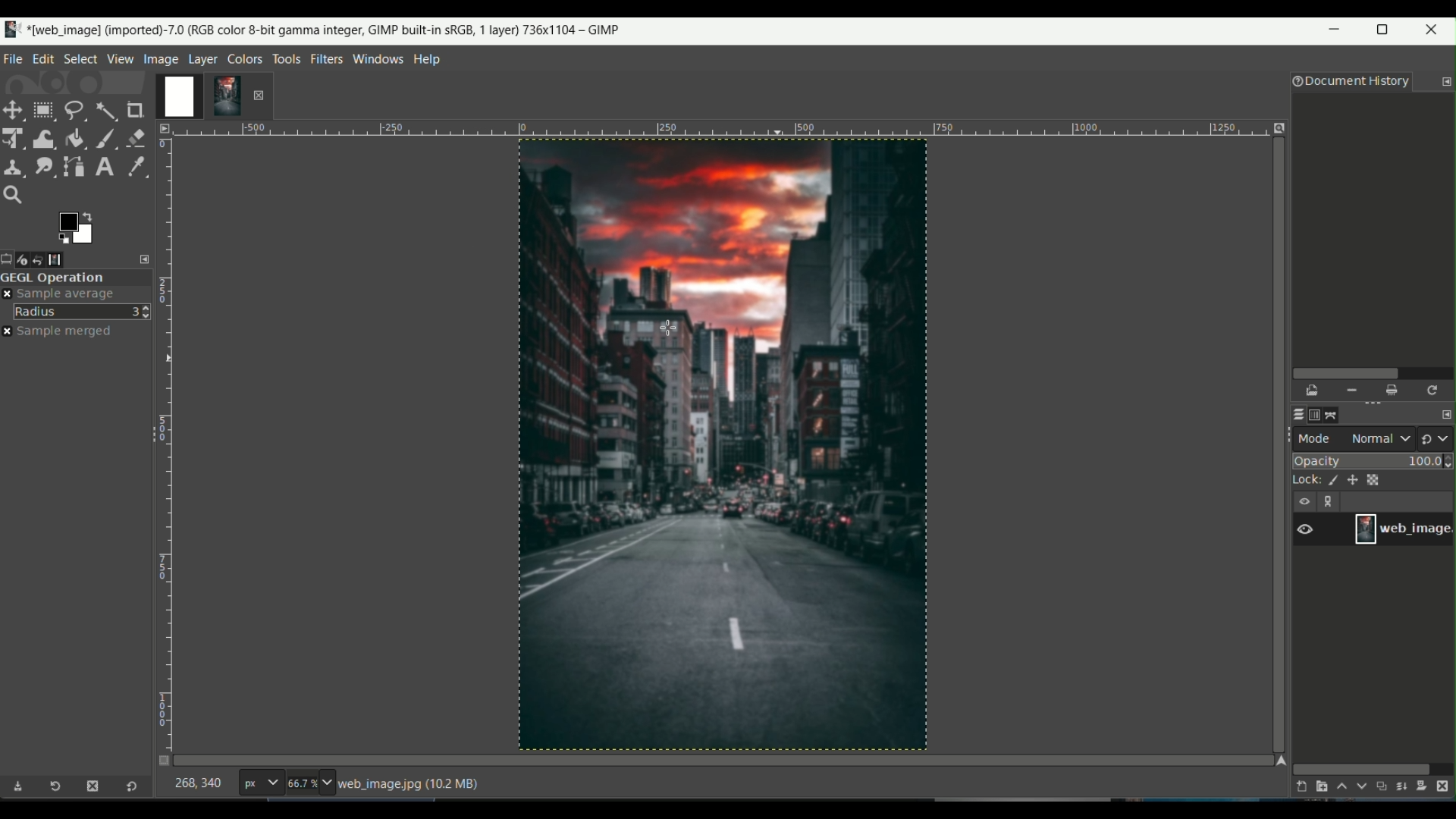  What do you see at coordinates (1301, 482) in the screenshot?
I see `lock` at bounding box center [1301, 482].